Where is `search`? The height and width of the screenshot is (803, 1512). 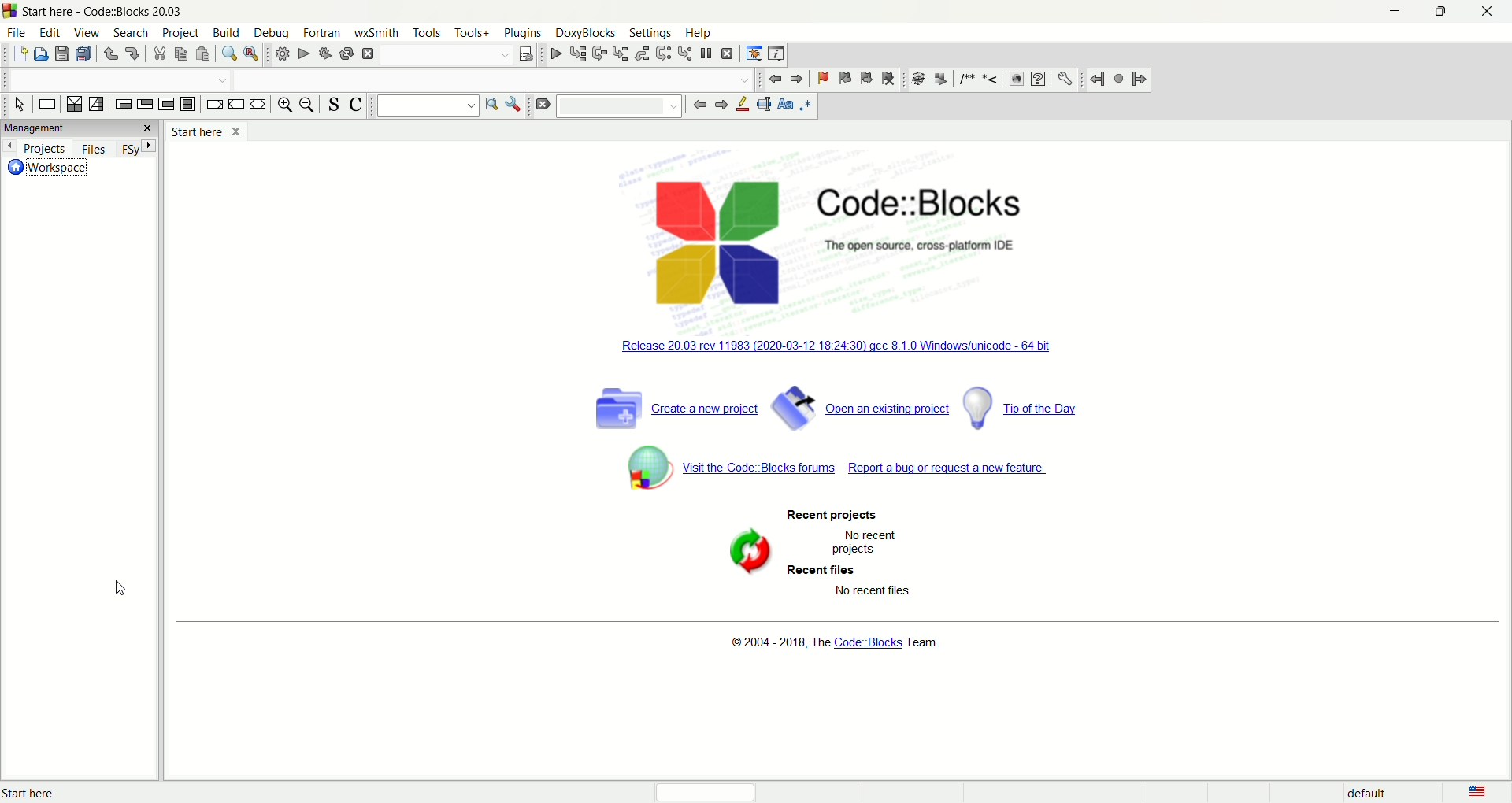
search is located at coordinates (129, 34).